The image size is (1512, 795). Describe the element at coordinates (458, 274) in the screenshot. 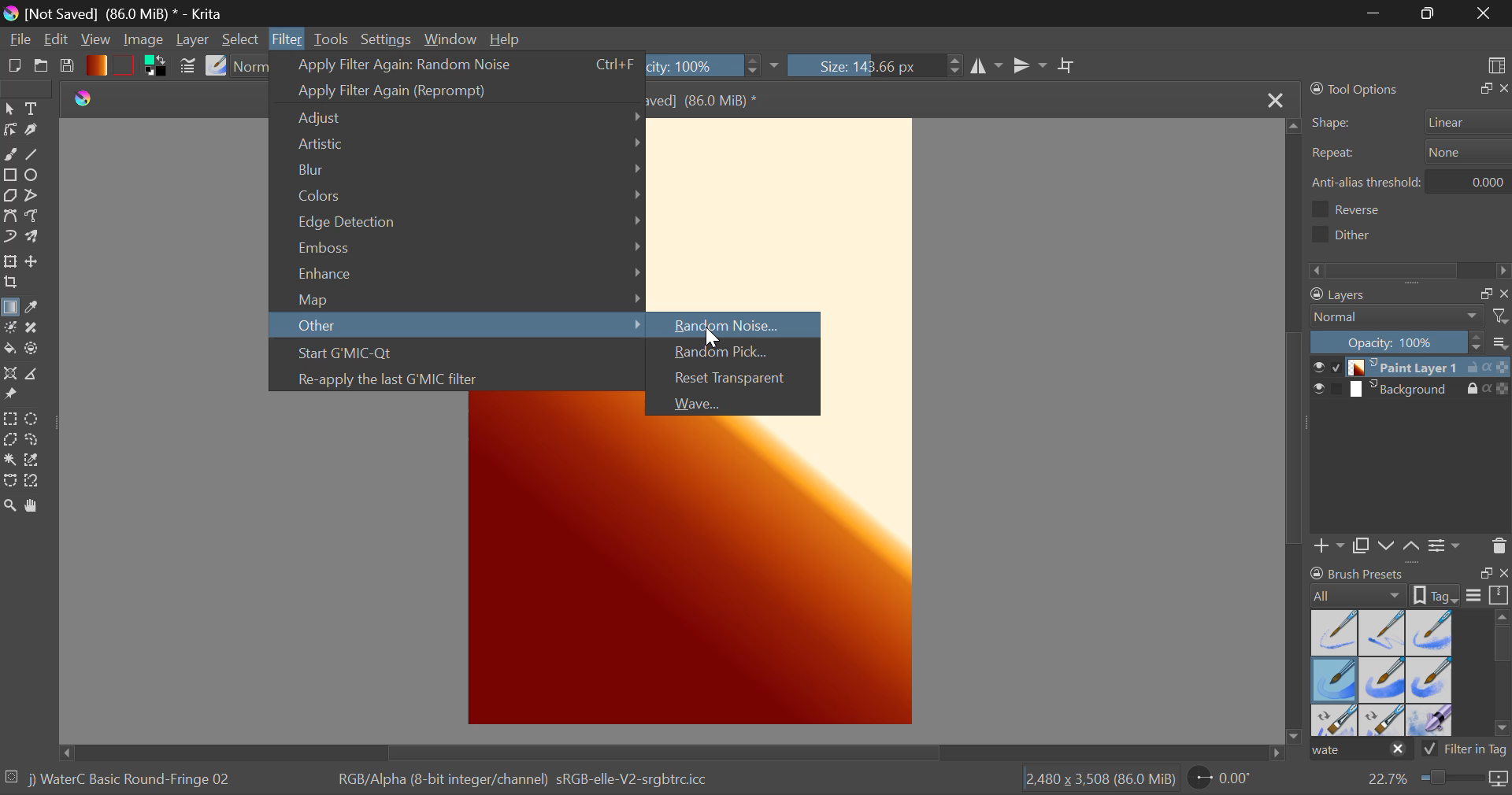

I see `Enhance` at that location.